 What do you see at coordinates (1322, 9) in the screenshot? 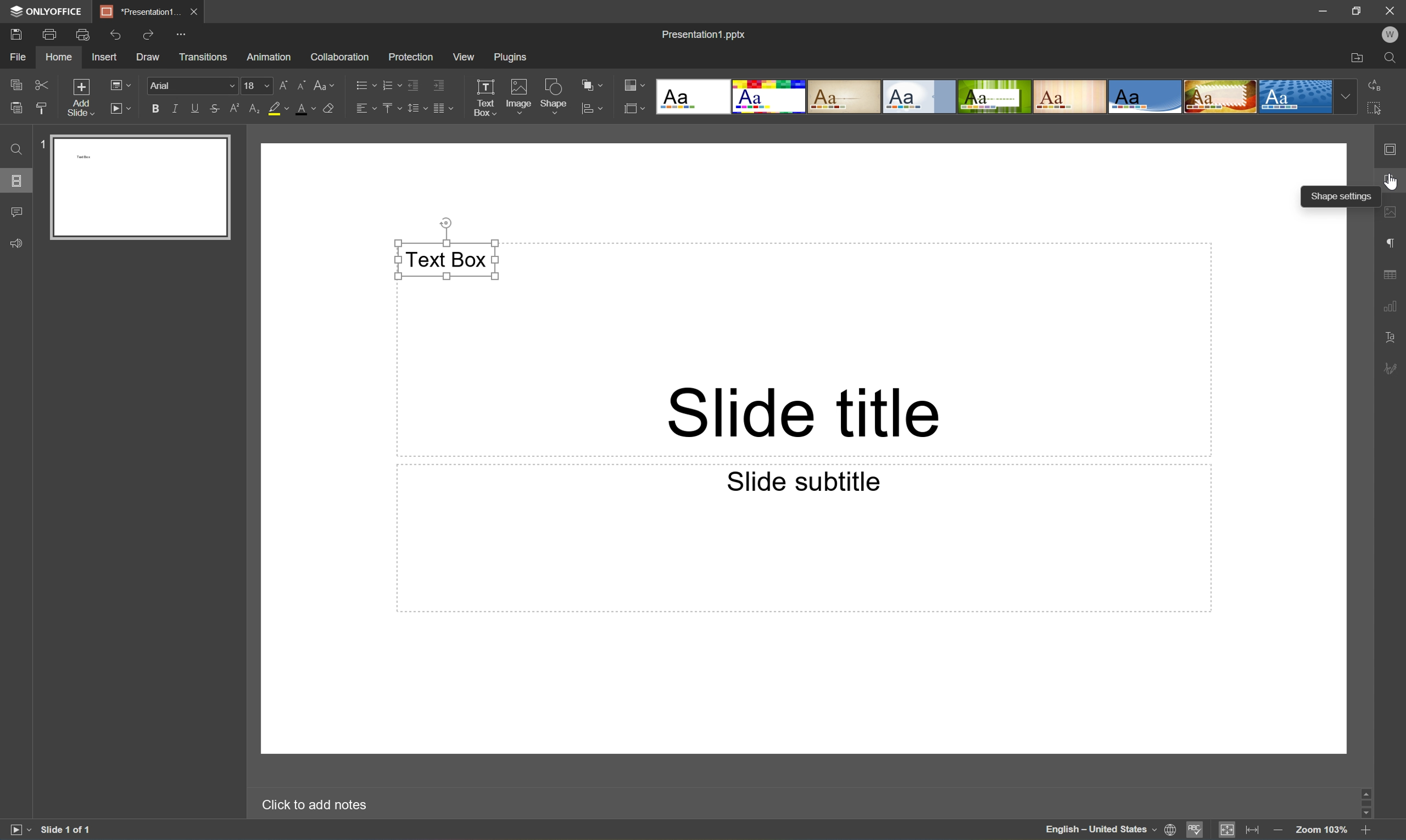
I see `Minimize` at bounding box center [1322, 9].